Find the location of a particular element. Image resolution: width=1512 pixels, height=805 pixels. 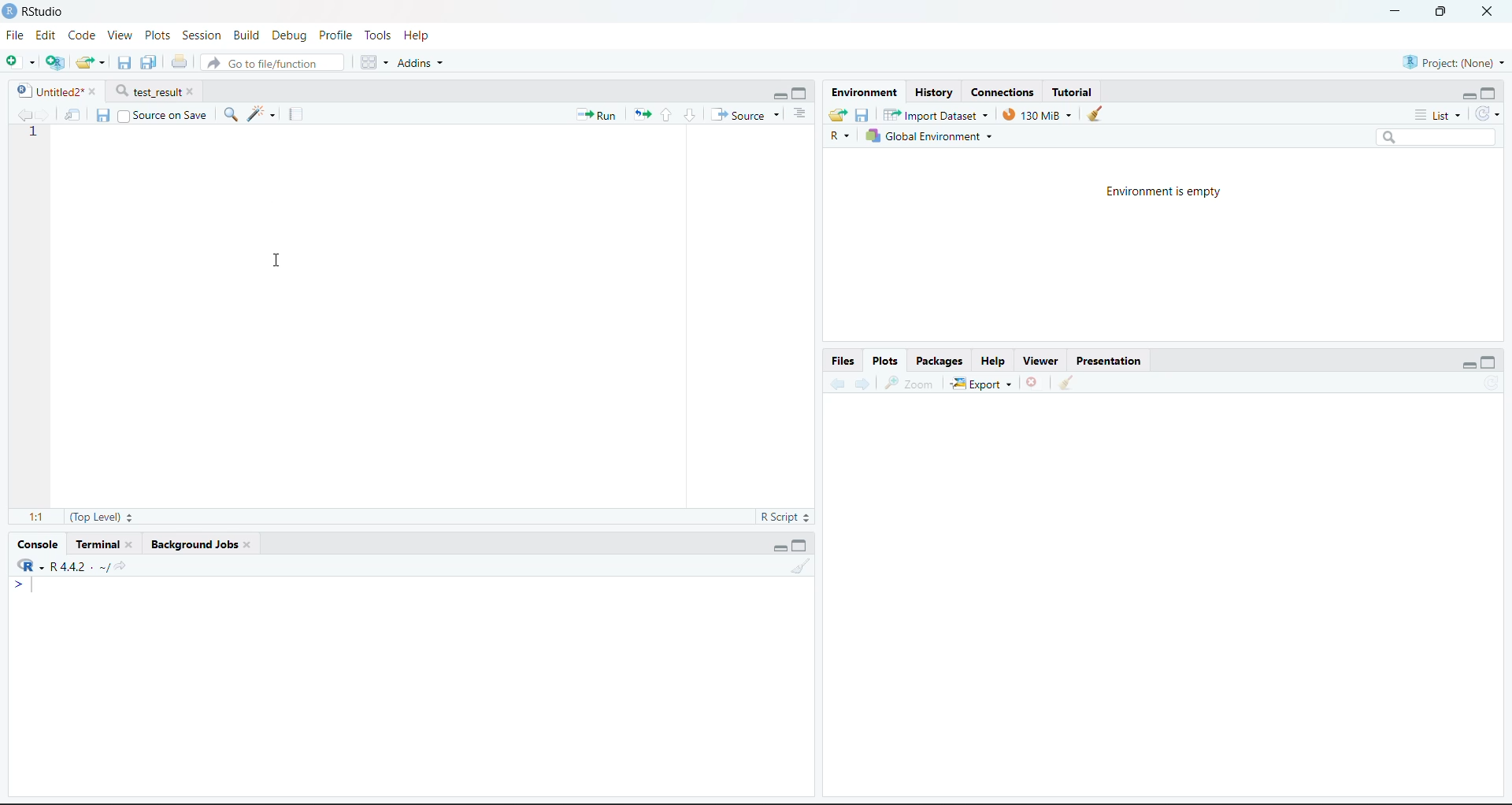

Untitled2* is located at coordinates (61, 88).